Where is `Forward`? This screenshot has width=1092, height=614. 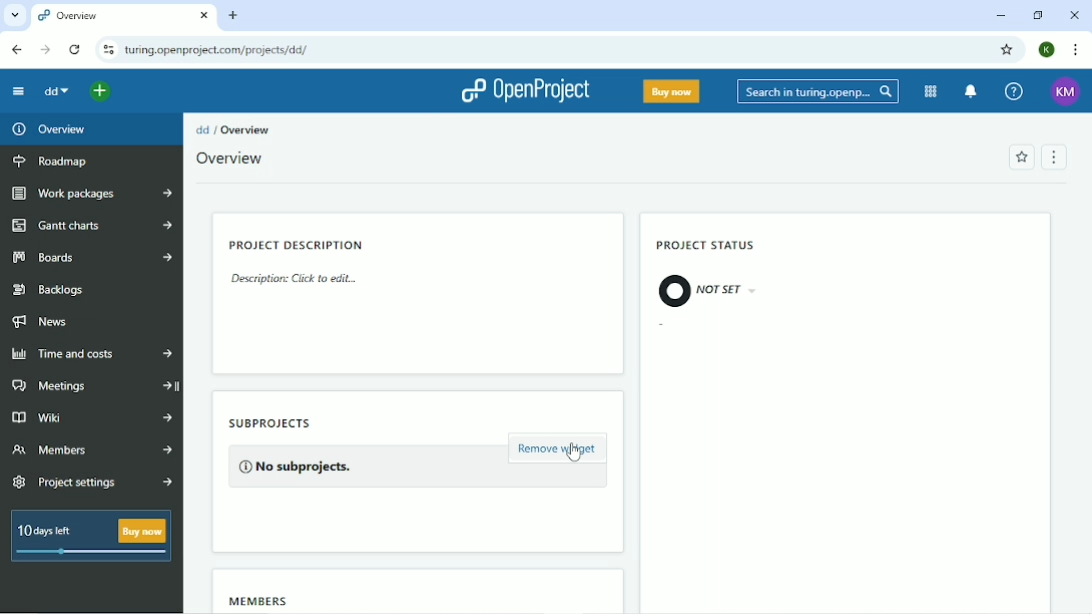
Forward is located at coordinates (44, 50).